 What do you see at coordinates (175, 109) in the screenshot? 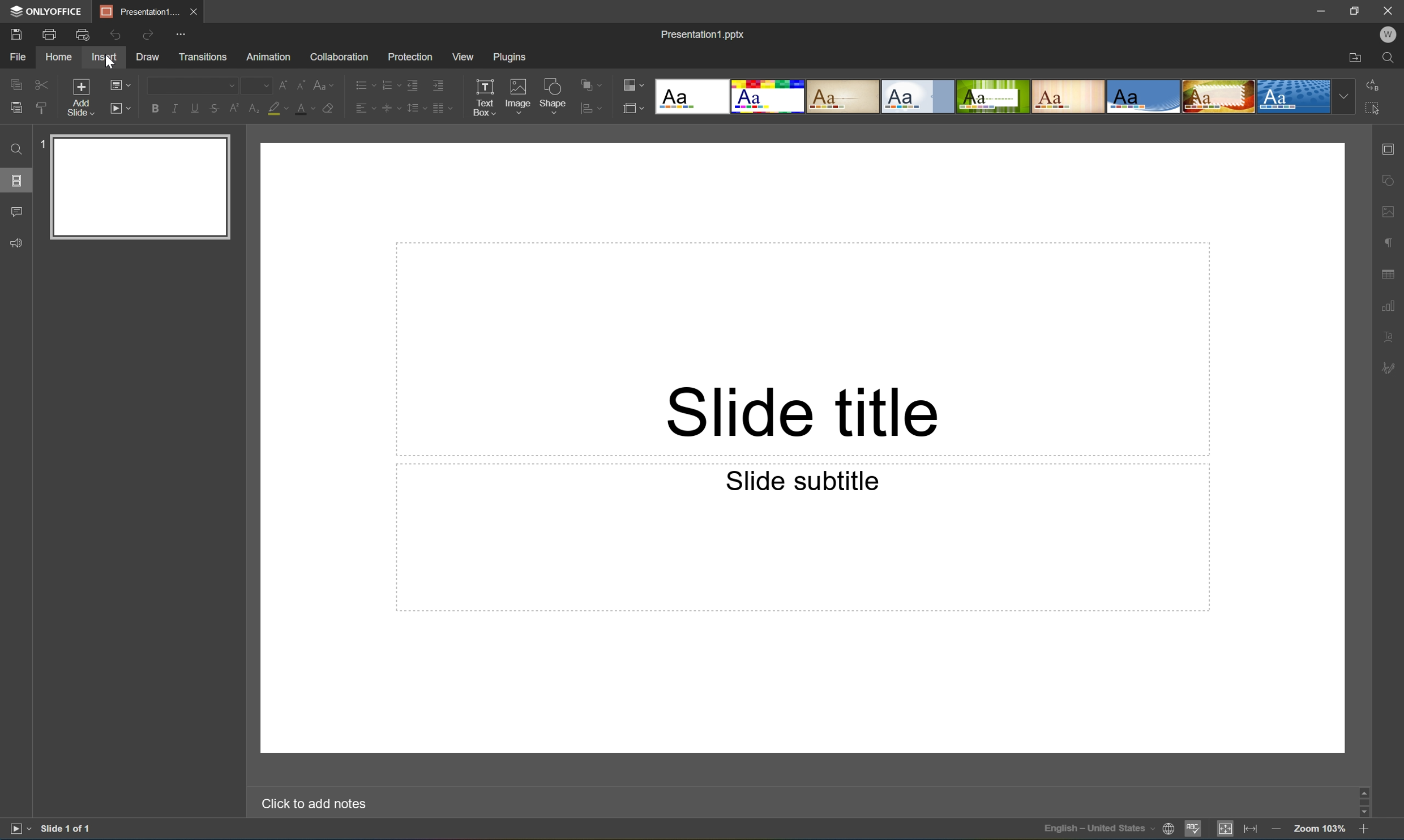
I see `Italic` at bounding box center [175, 109].